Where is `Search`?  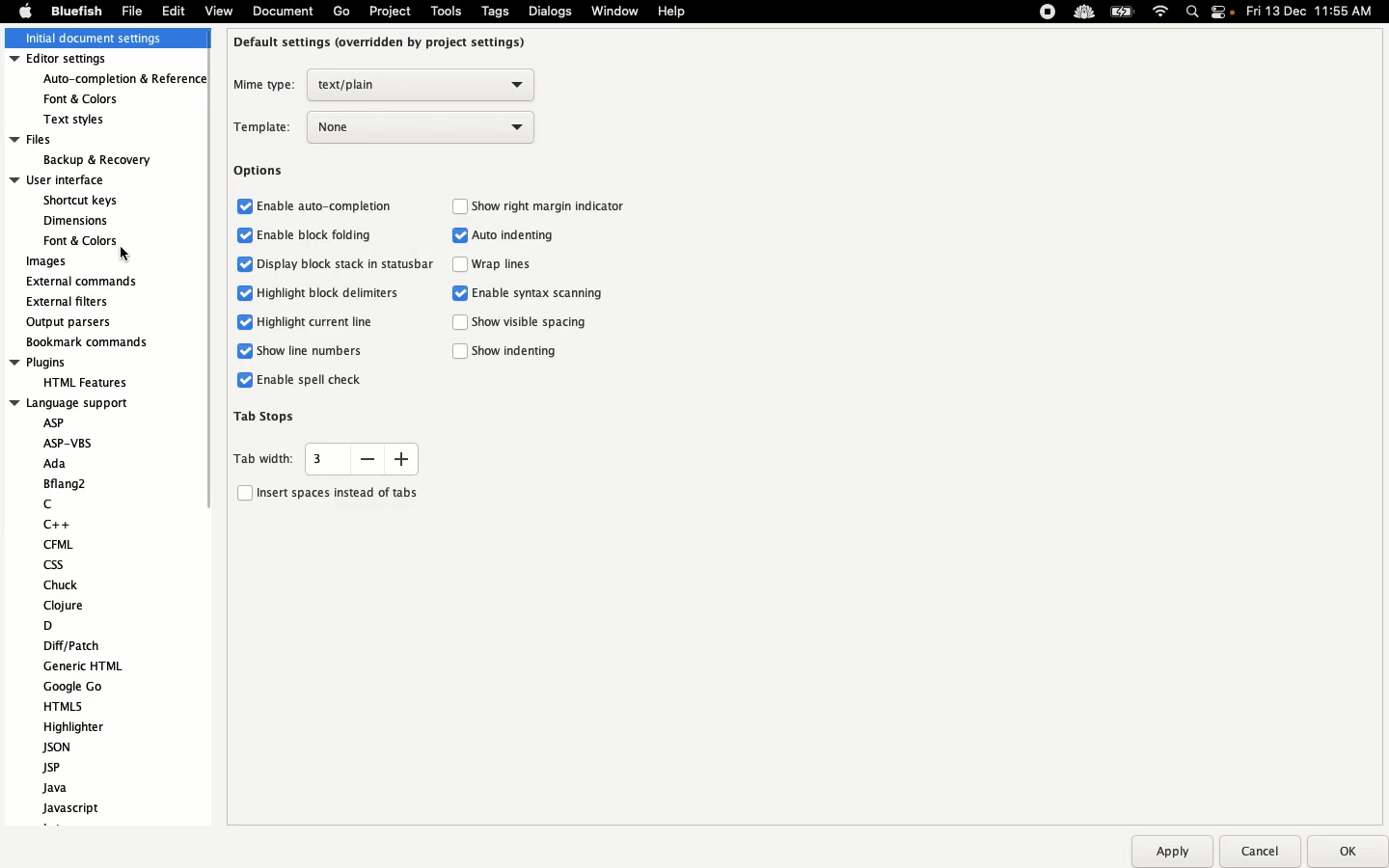
Search is located at coordinates (1193, 14).